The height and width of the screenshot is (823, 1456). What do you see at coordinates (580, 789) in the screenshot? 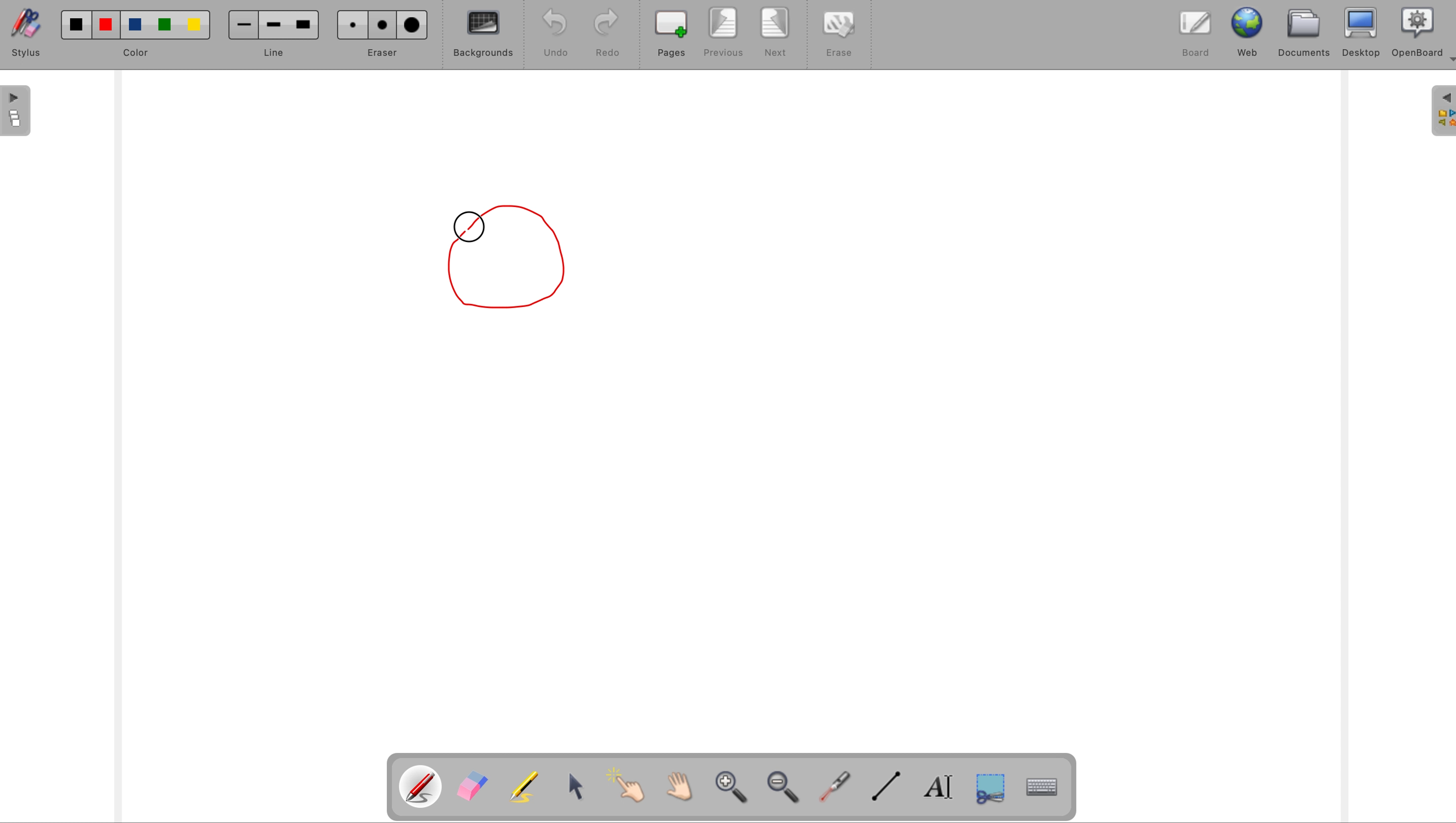
I see `select and modify` at bounding box center [580, 789].